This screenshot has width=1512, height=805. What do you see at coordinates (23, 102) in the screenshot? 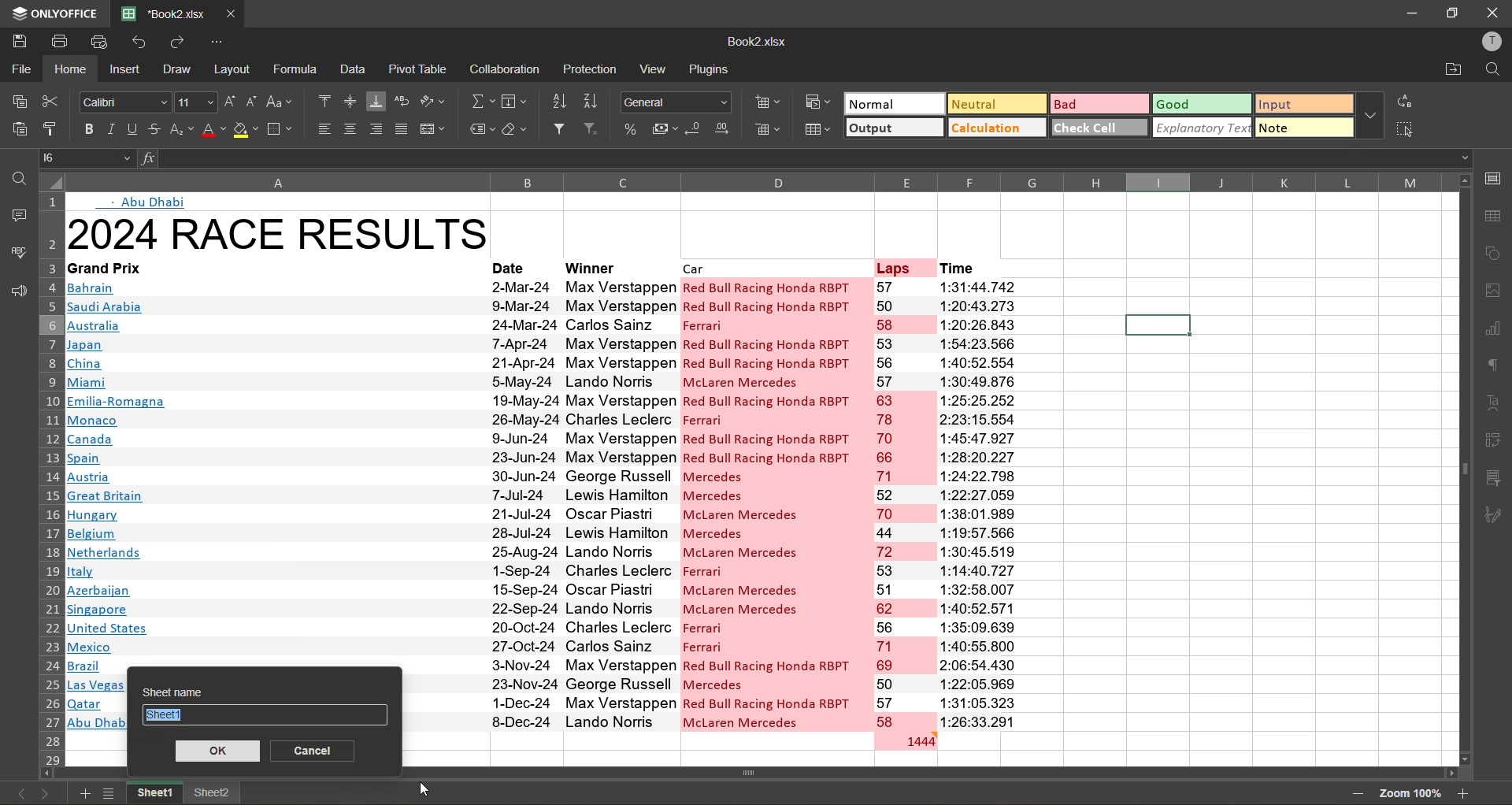
I see `copy` at bounding box center [23, 102].